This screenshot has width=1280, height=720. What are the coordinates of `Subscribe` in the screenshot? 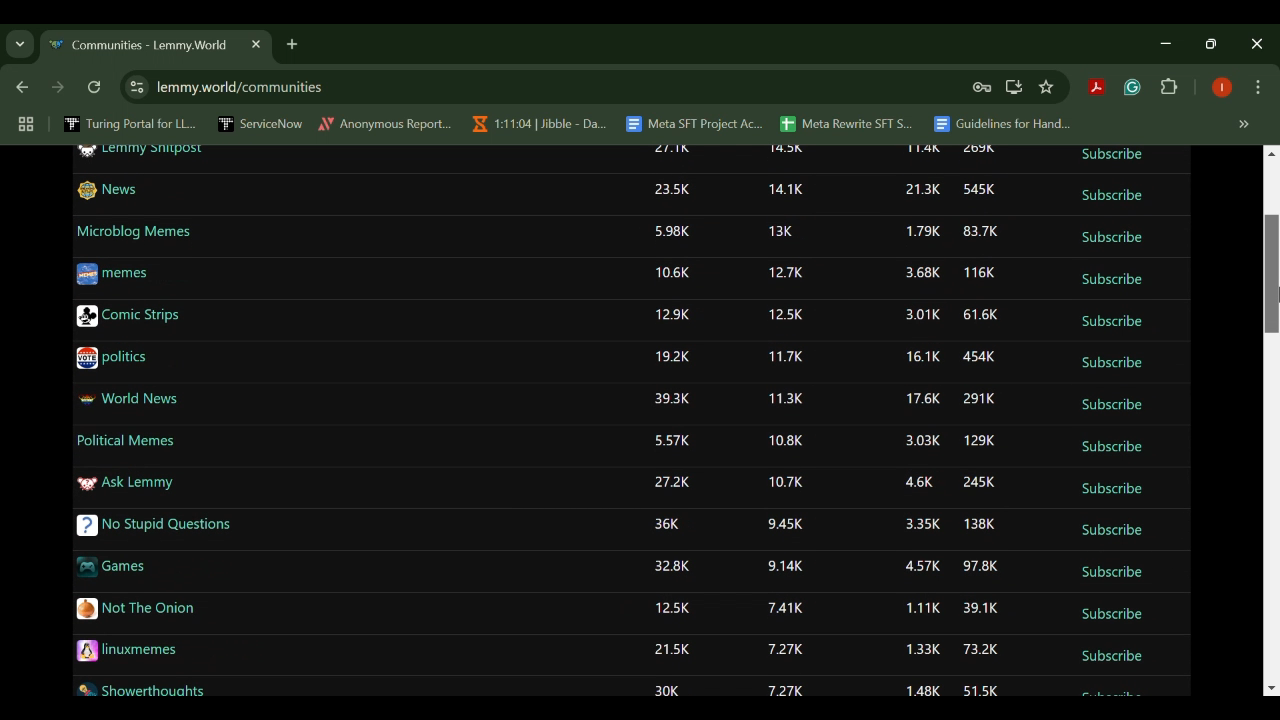 It's located at (1113, 616).